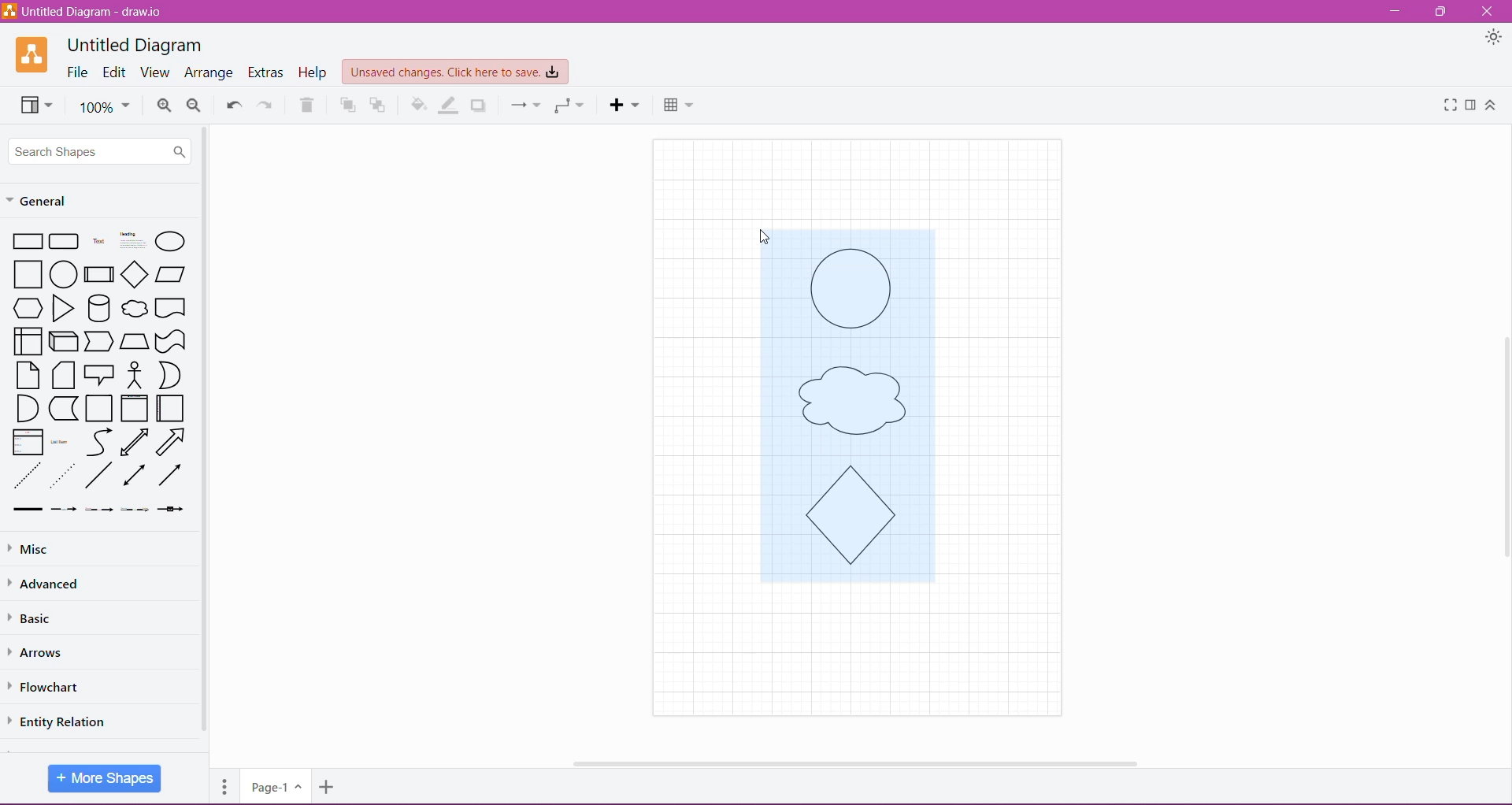  I want to click on Zoom In, so click(164, 106).